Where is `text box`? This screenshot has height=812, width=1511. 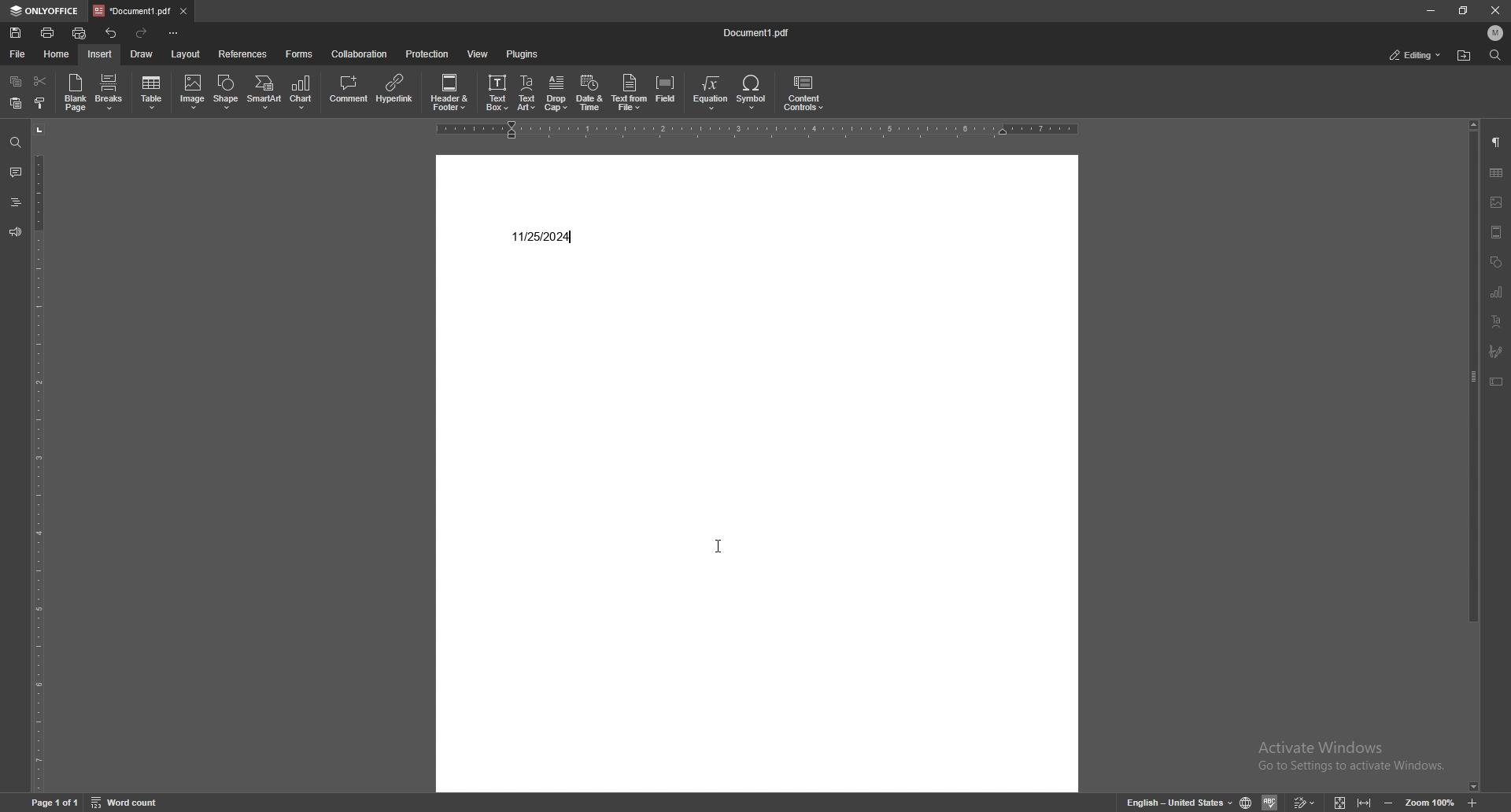
text box is located at coordinates (1497, 382).